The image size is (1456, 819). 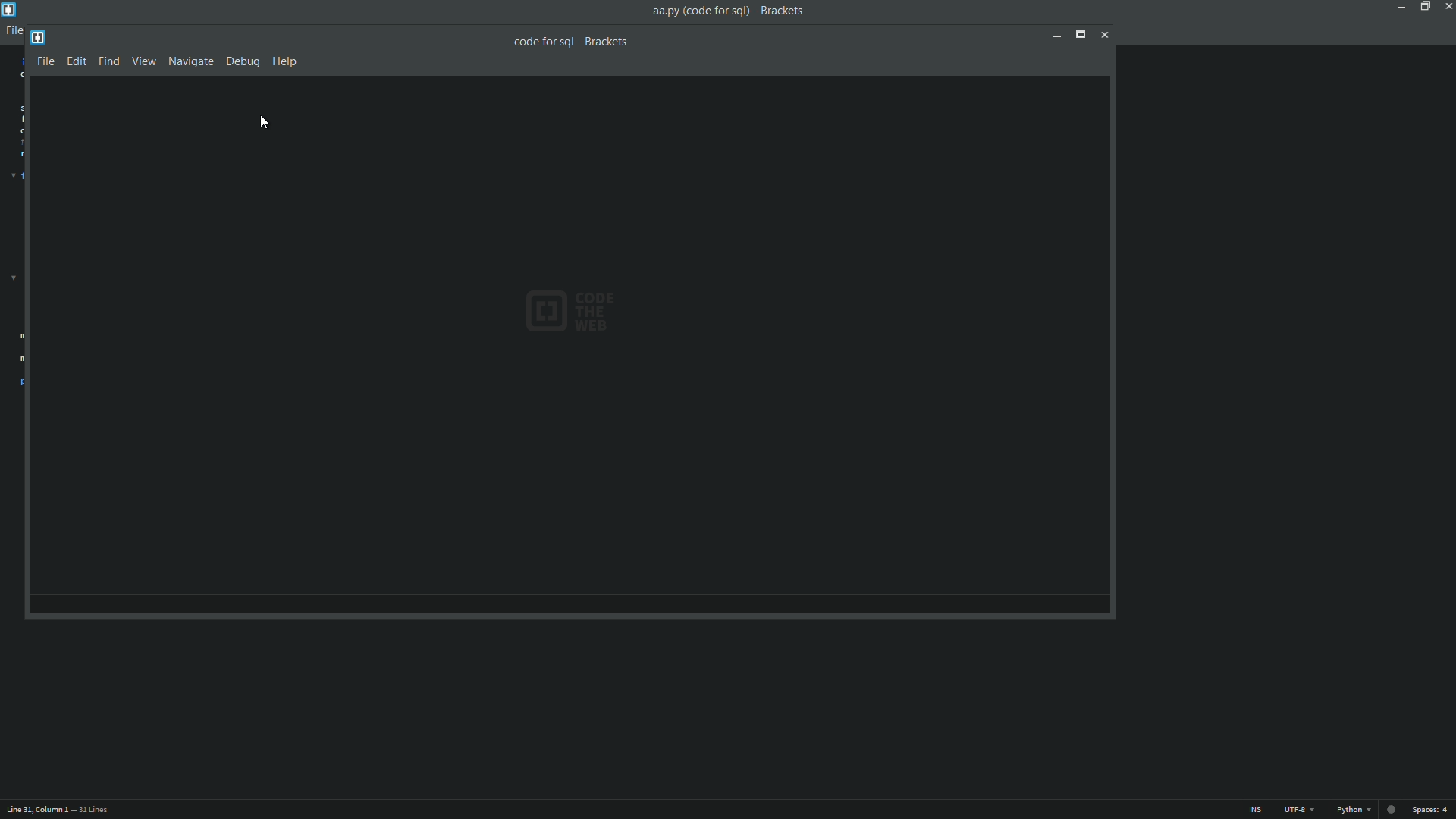 I want to click on circle, so click(x=1387, y=809).